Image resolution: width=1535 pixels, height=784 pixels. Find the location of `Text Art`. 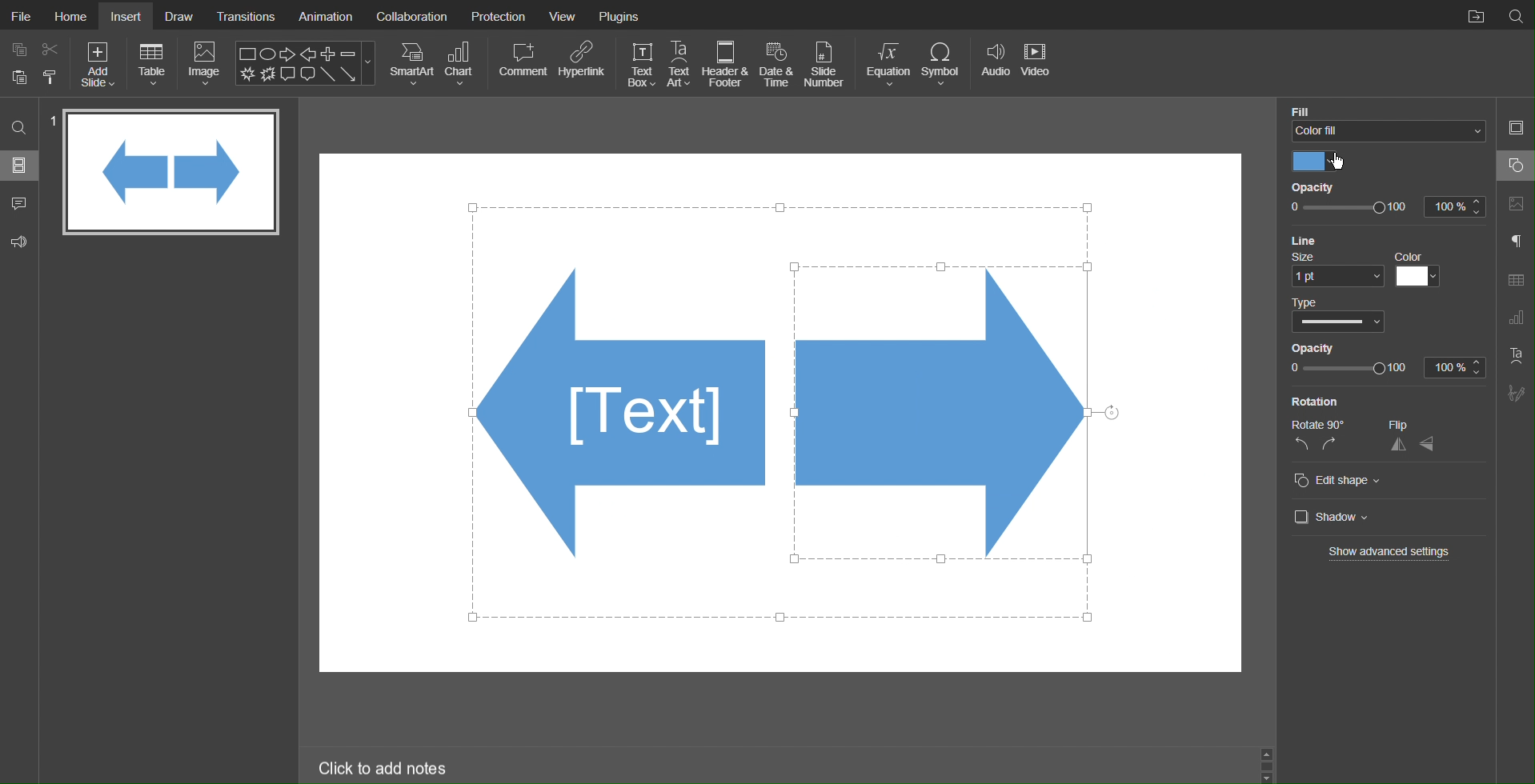

Text Art is located at coordinates (1514, 355).